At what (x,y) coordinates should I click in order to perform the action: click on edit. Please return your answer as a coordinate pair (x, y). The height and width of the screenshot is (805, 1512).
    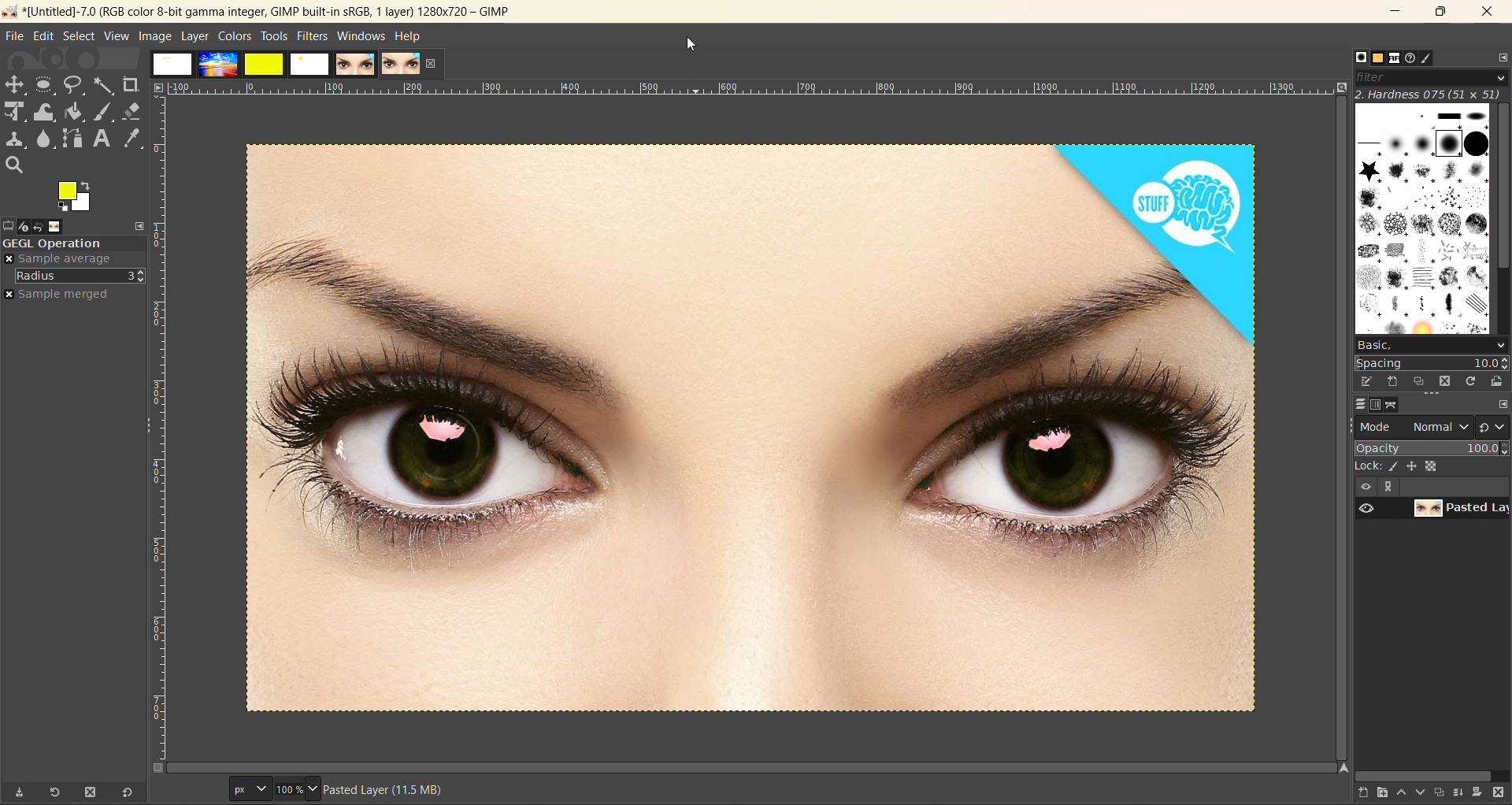
    Looking at the image, I should click on (41, 36).